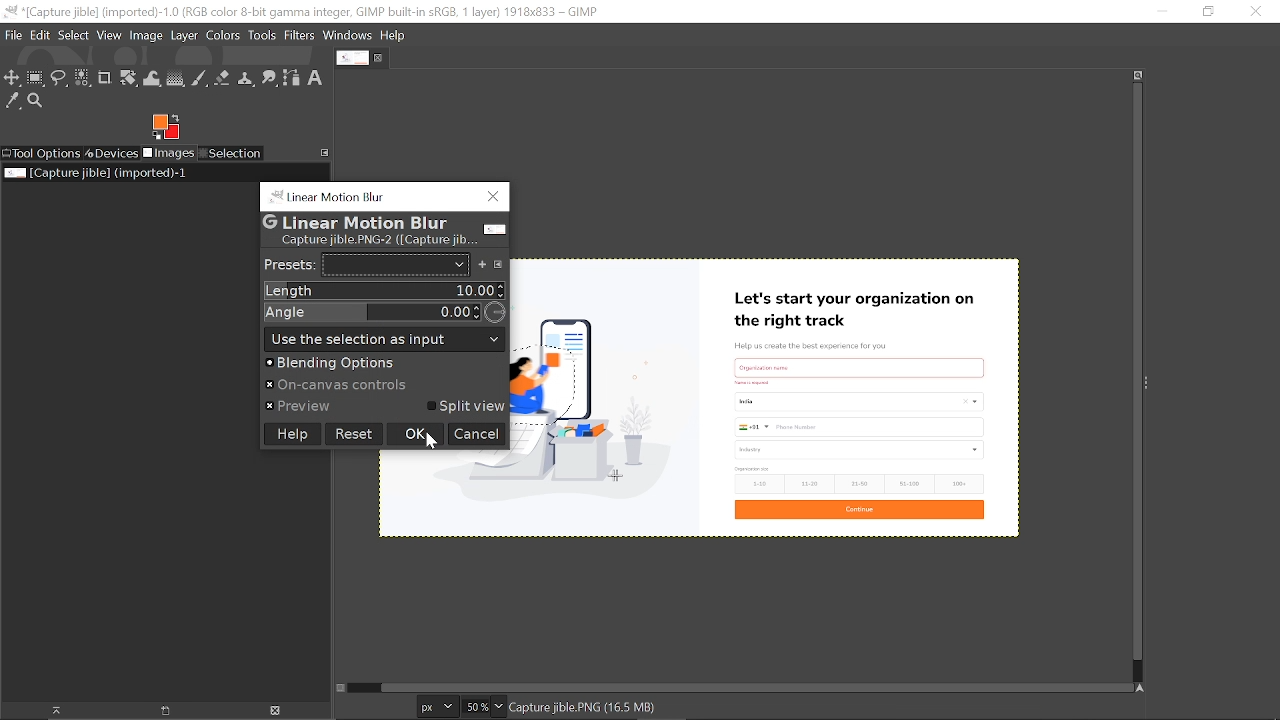 The image size is (1280, 720). I want to click on » On-canvas controls, so click(341, 386).